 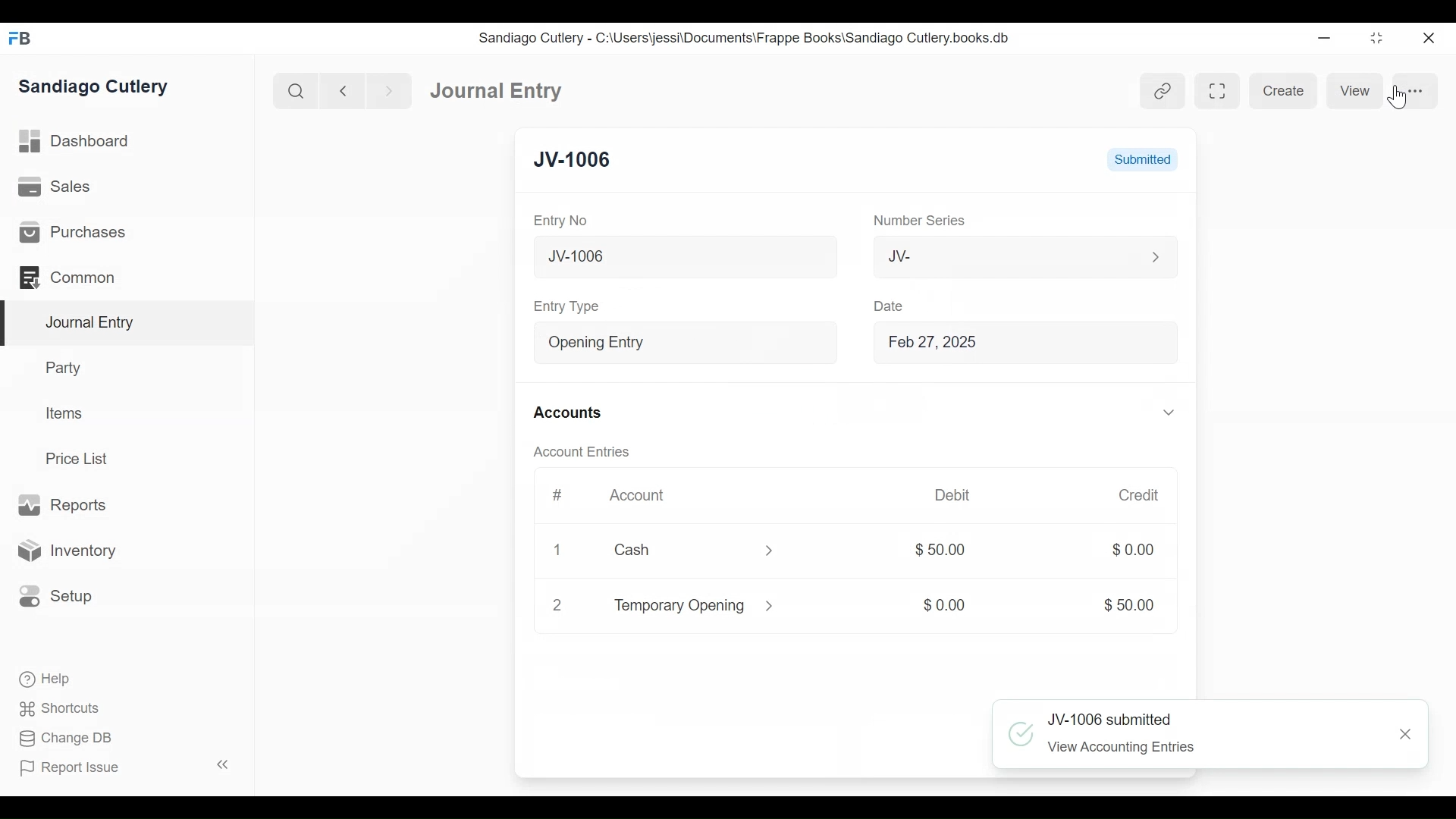 What do you see at coordinates (20, 39) in the screenshot?
I see `Frappe Books Desktop Icon` at bounding box center [20, 39].